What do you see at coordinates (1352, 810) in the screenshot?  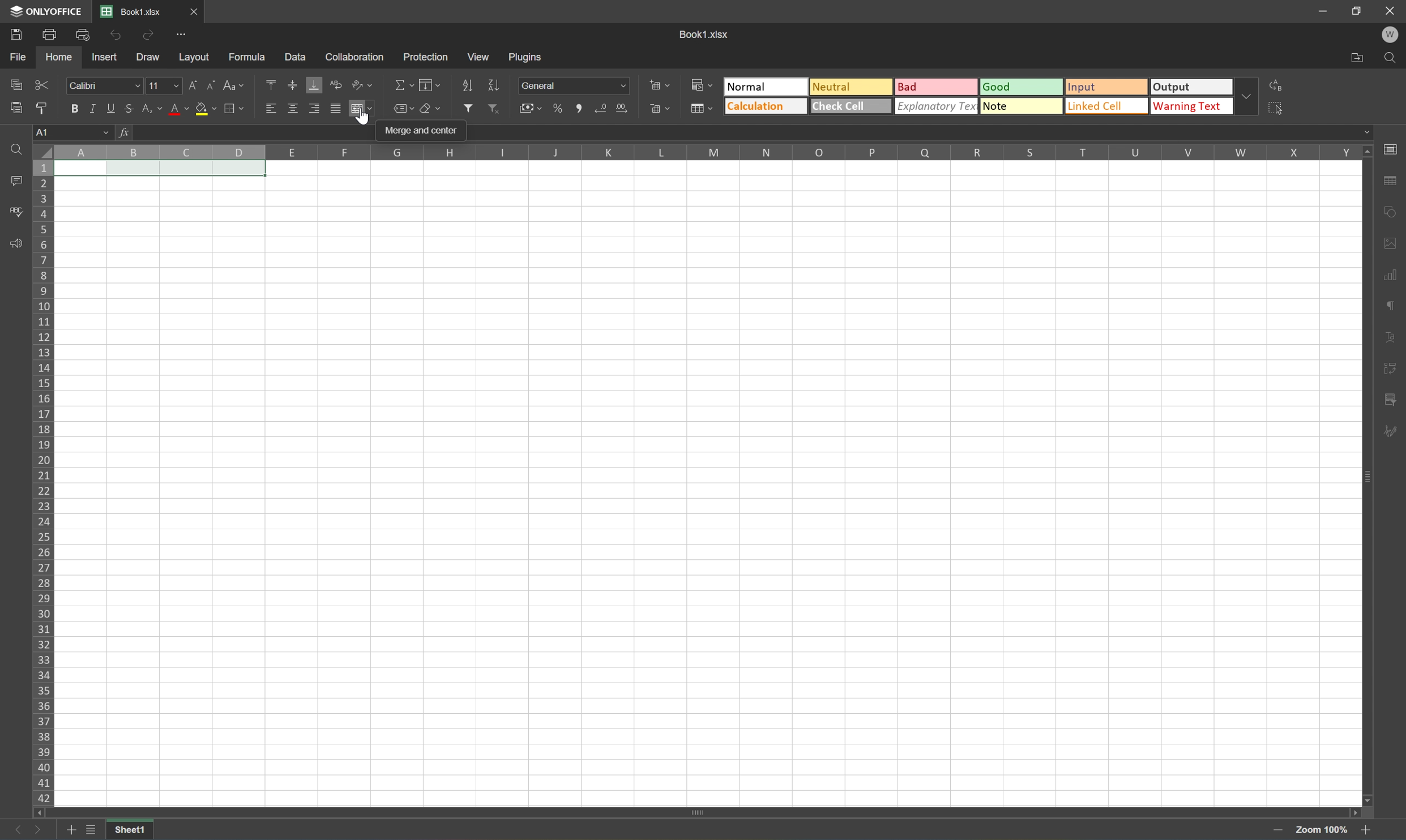 I see `Scroll right` at bounding box center [1352, 810].